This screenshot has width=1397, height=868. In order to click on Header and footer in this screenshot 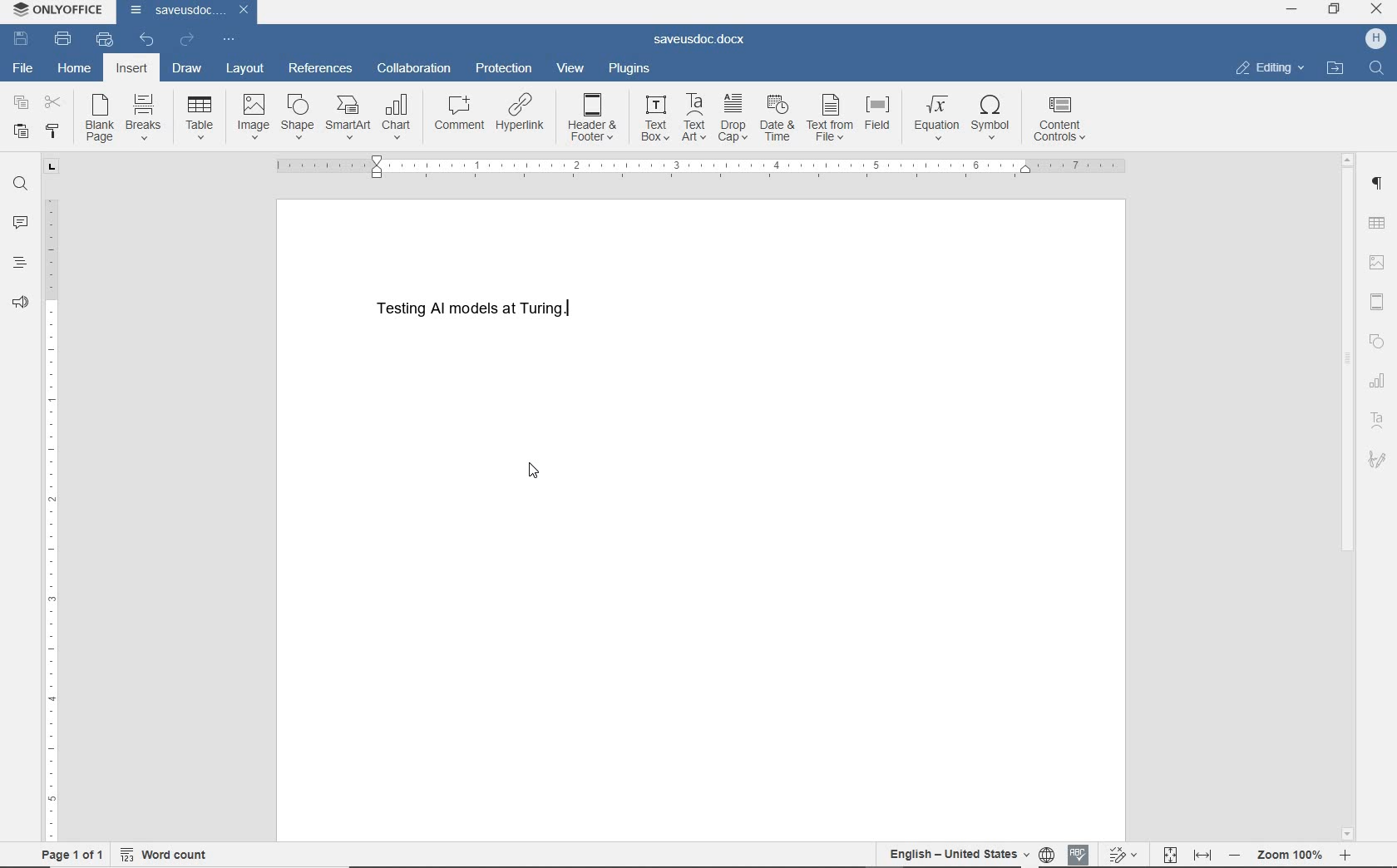, I will do `click(1381, 303)`.